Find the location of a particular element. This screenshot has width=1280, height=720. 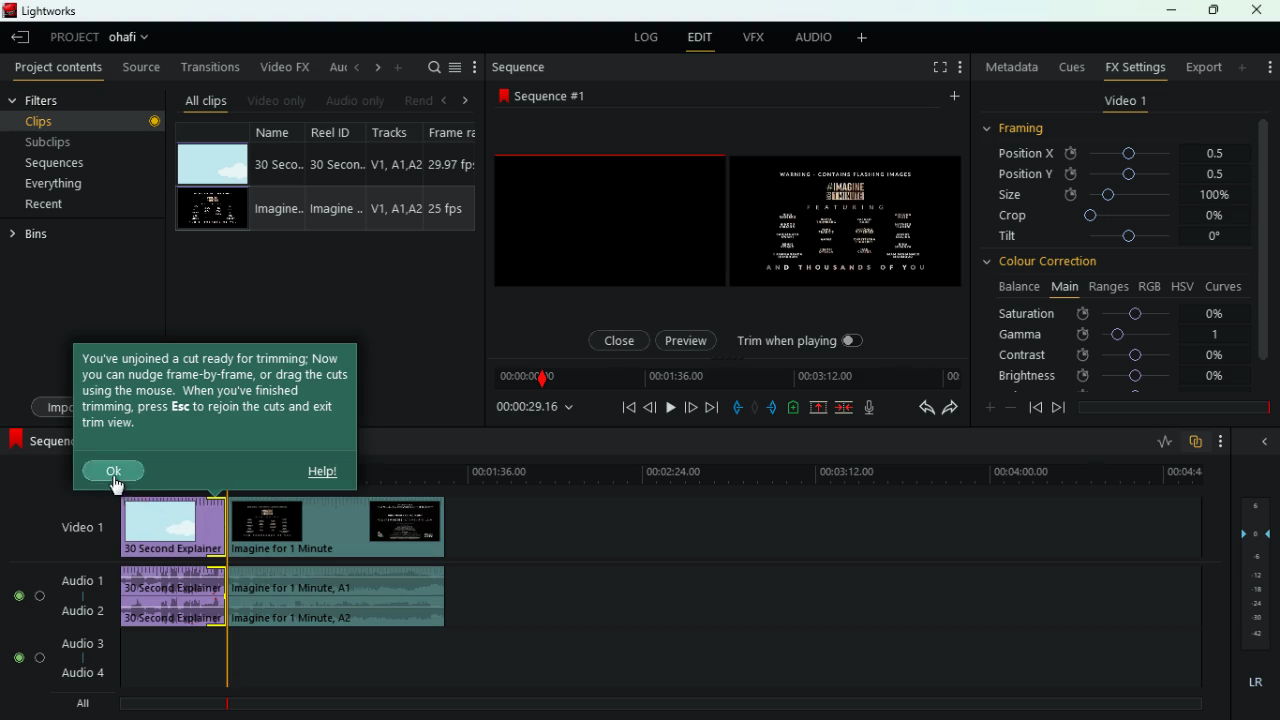

brightness is located at coordinates (1113, 377).